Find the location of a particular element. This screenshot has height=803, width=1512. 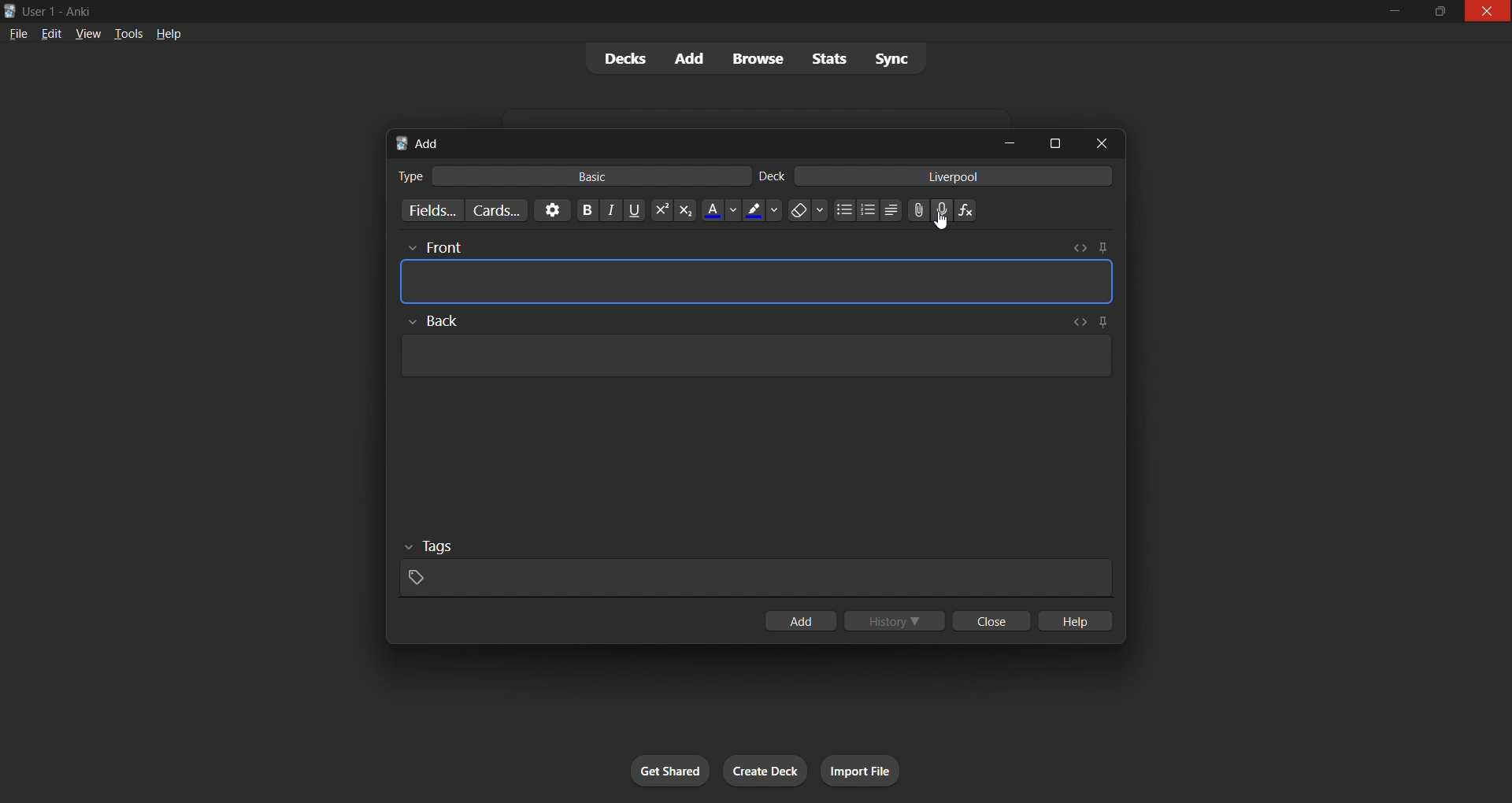

add is located at coordinates (691, 57).